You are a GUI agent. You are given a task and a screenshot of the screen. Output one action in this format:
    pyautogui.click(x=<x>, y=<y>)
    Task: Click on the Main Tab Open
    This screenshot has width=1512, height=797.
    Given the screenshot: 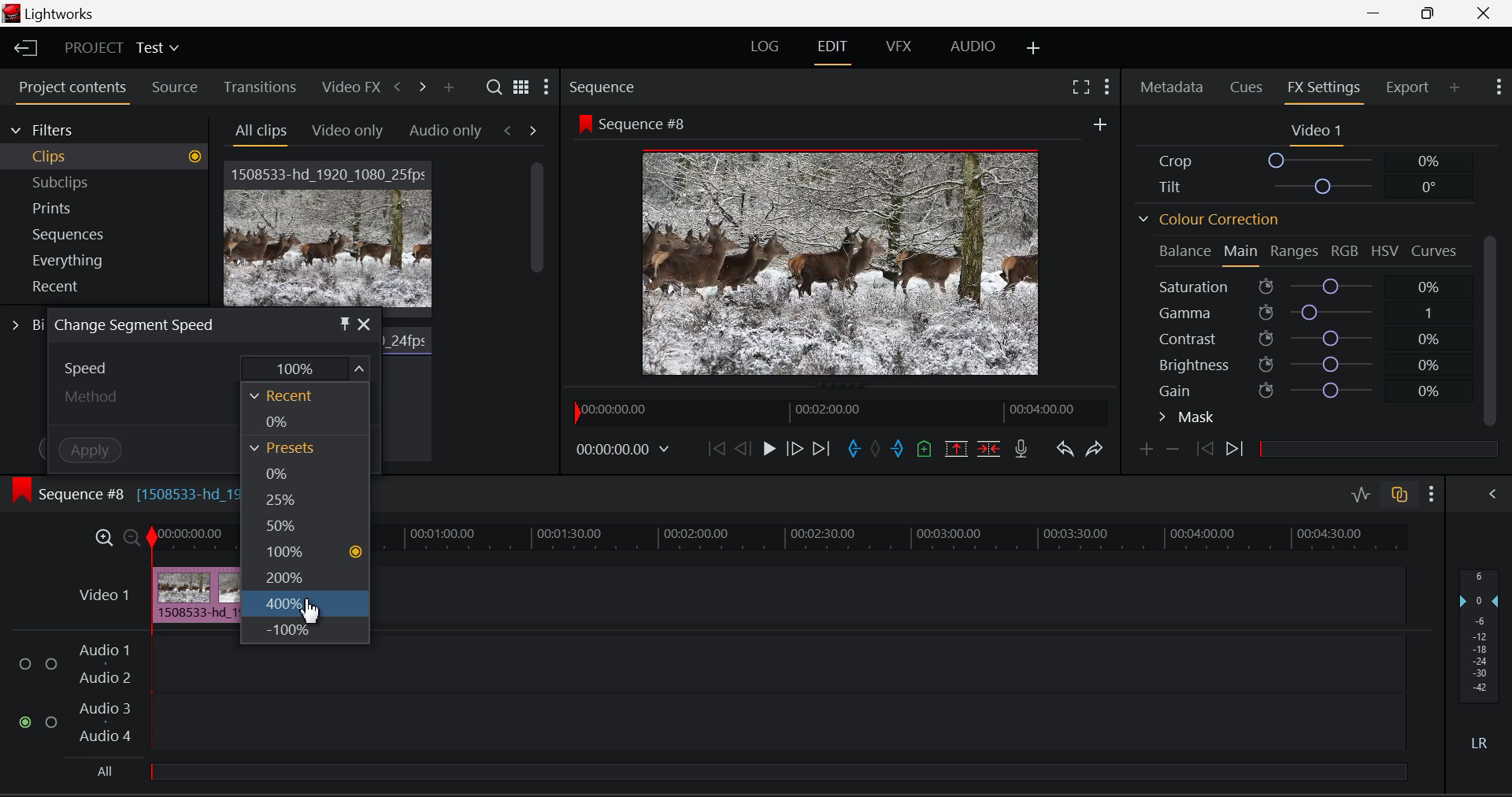 What is the action you would take?
    pyautogui.click(x=1242, y=254)
    